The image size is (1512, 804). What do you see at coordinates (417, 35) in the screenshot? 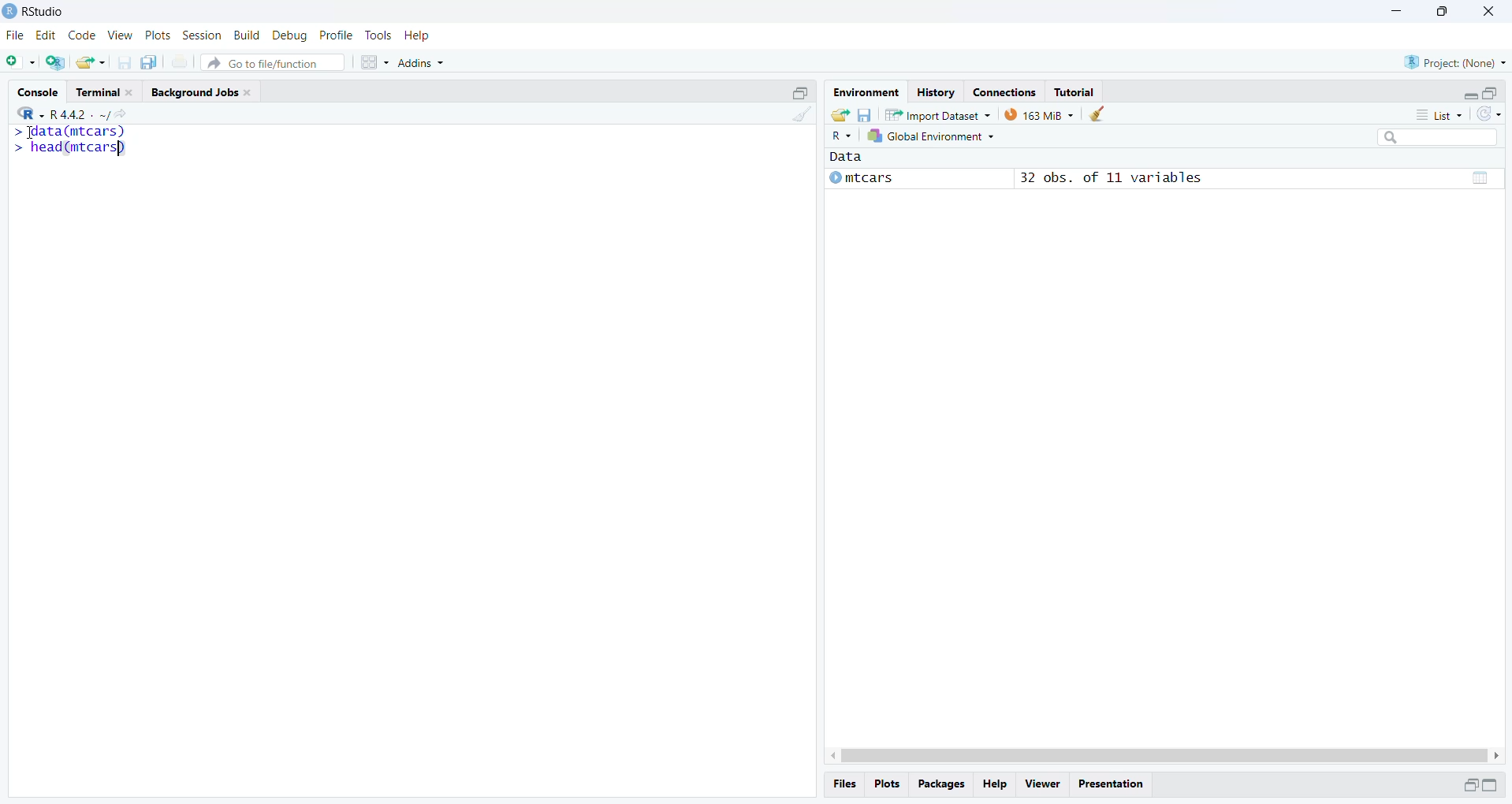
I see `help` at bounding box center [417, 35].